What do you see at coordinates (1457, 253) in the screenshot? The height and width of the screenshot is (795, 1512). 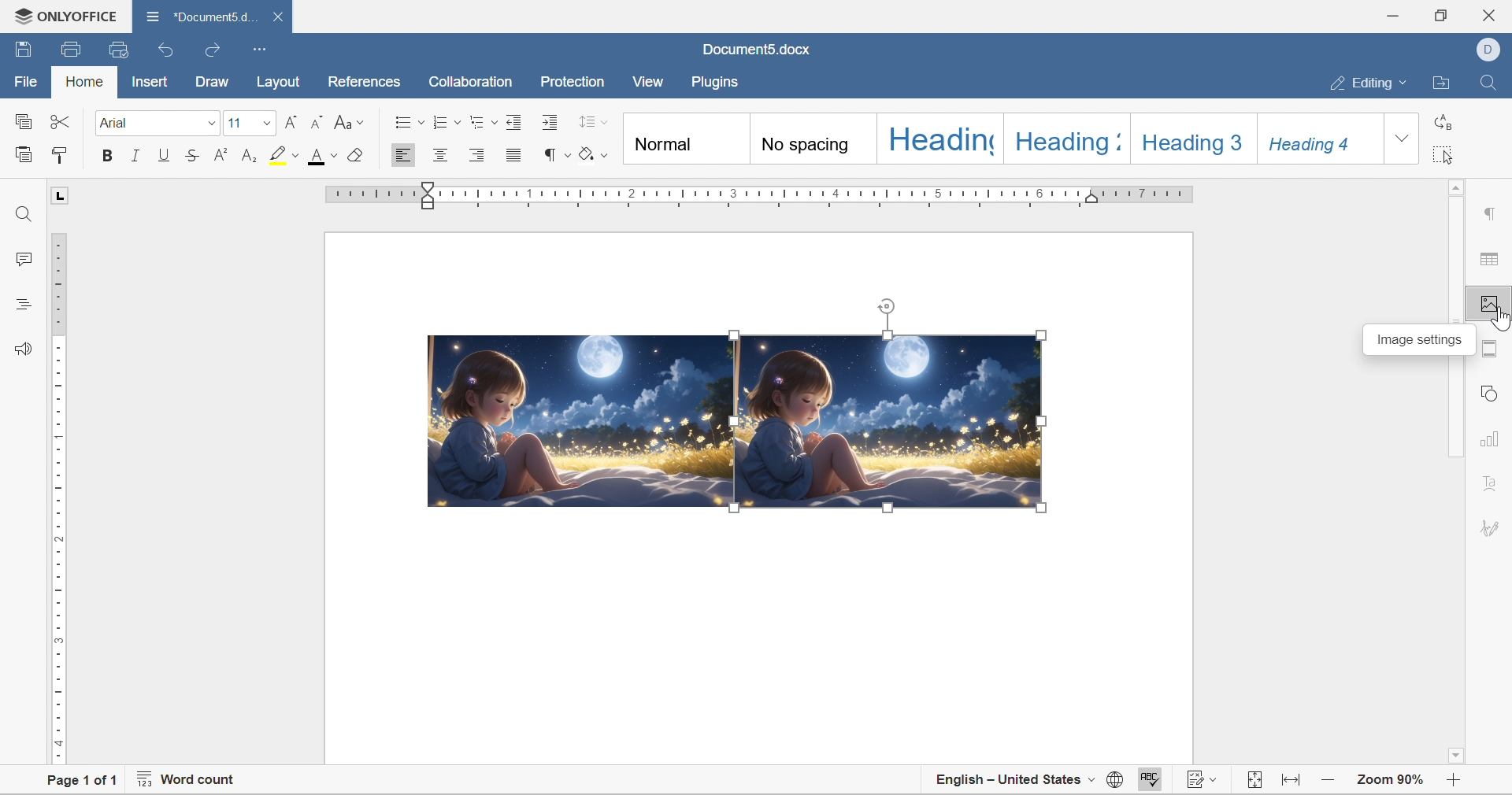 I see `scroll bar` at bounding box center [1457, 253].